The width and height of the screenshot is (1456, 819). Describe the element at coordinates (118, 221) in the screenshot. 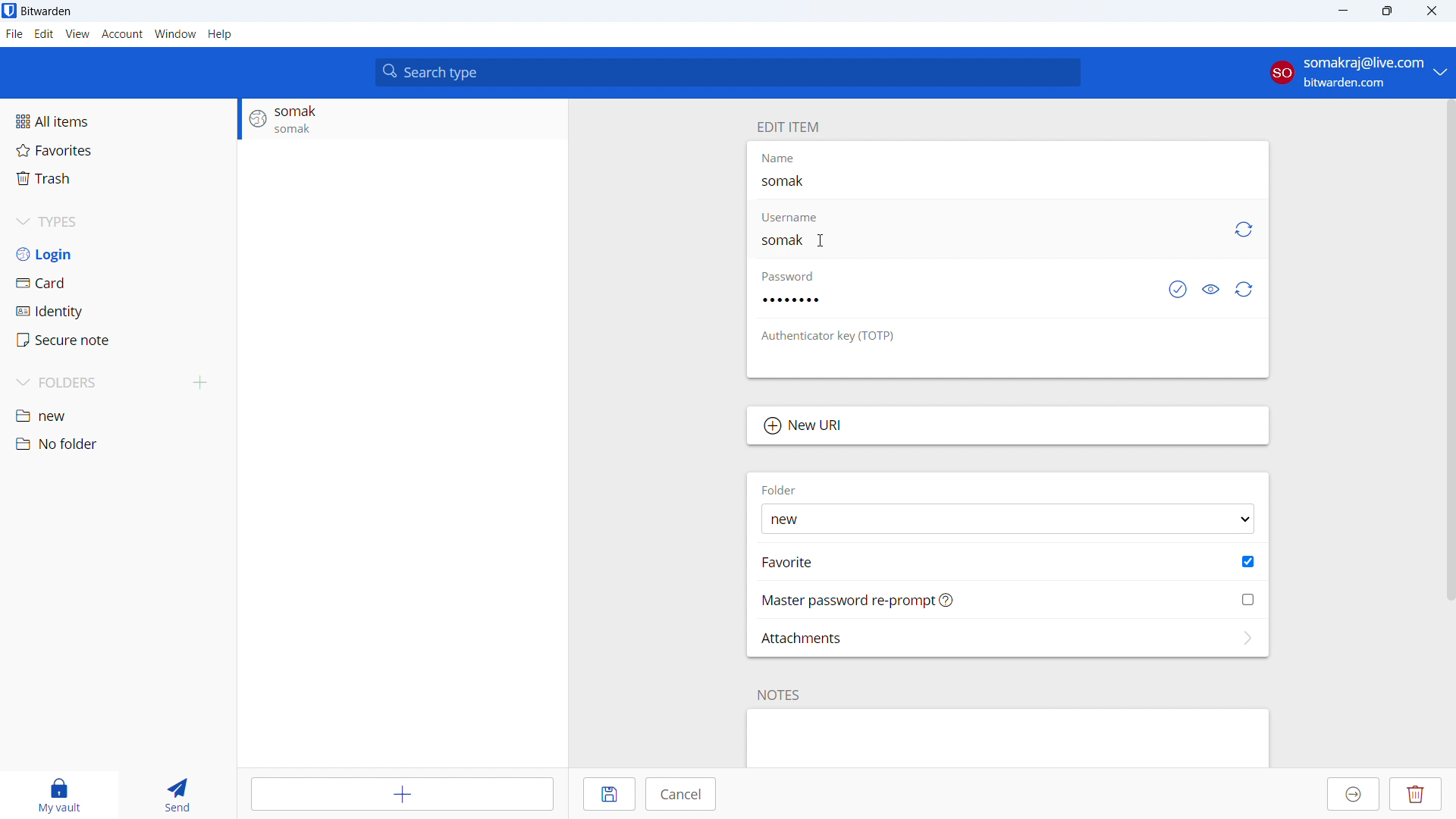

I see `types` at that location.